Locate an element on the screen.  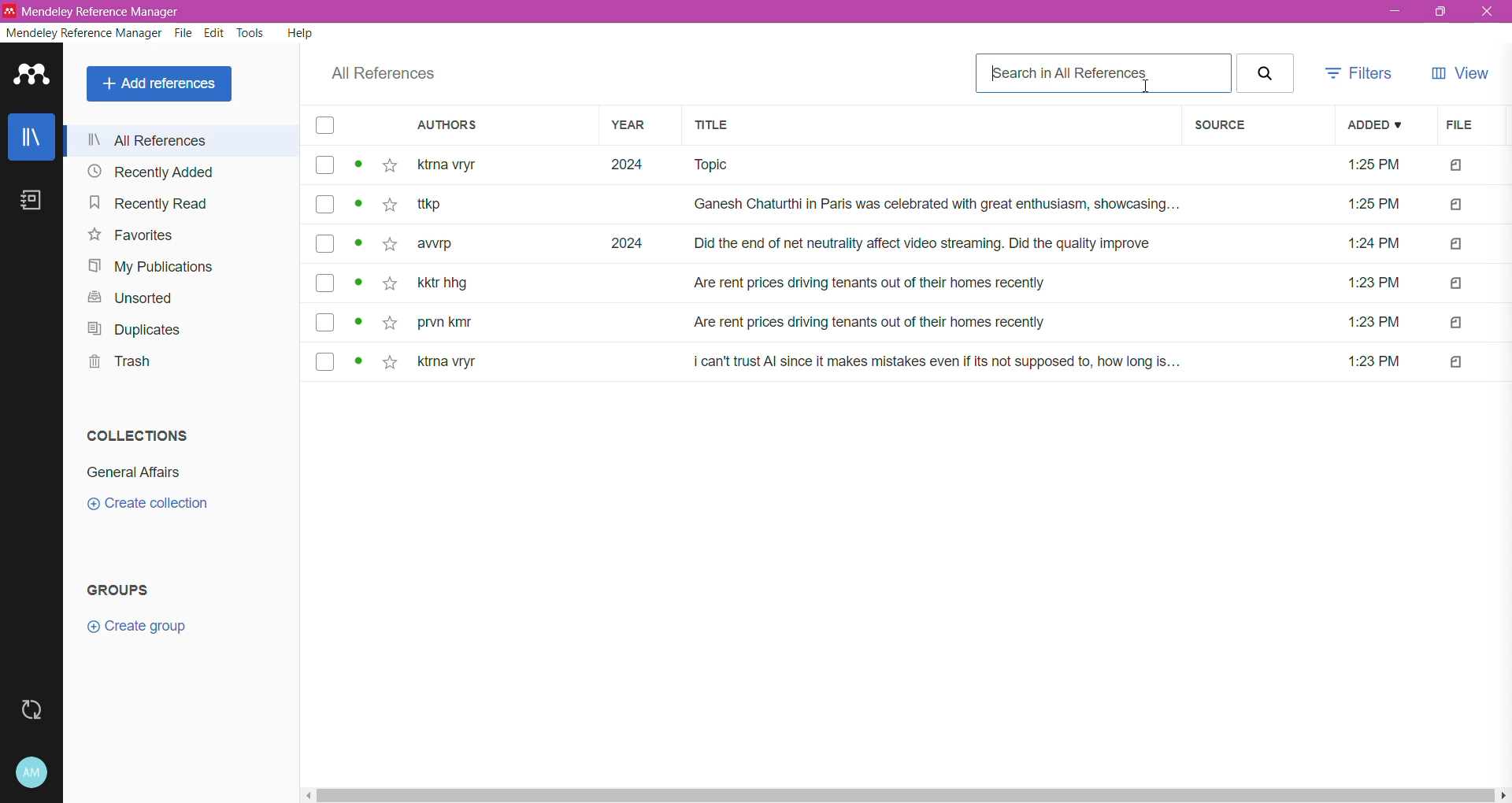
Application Logo is located at coordinates (32, 79).